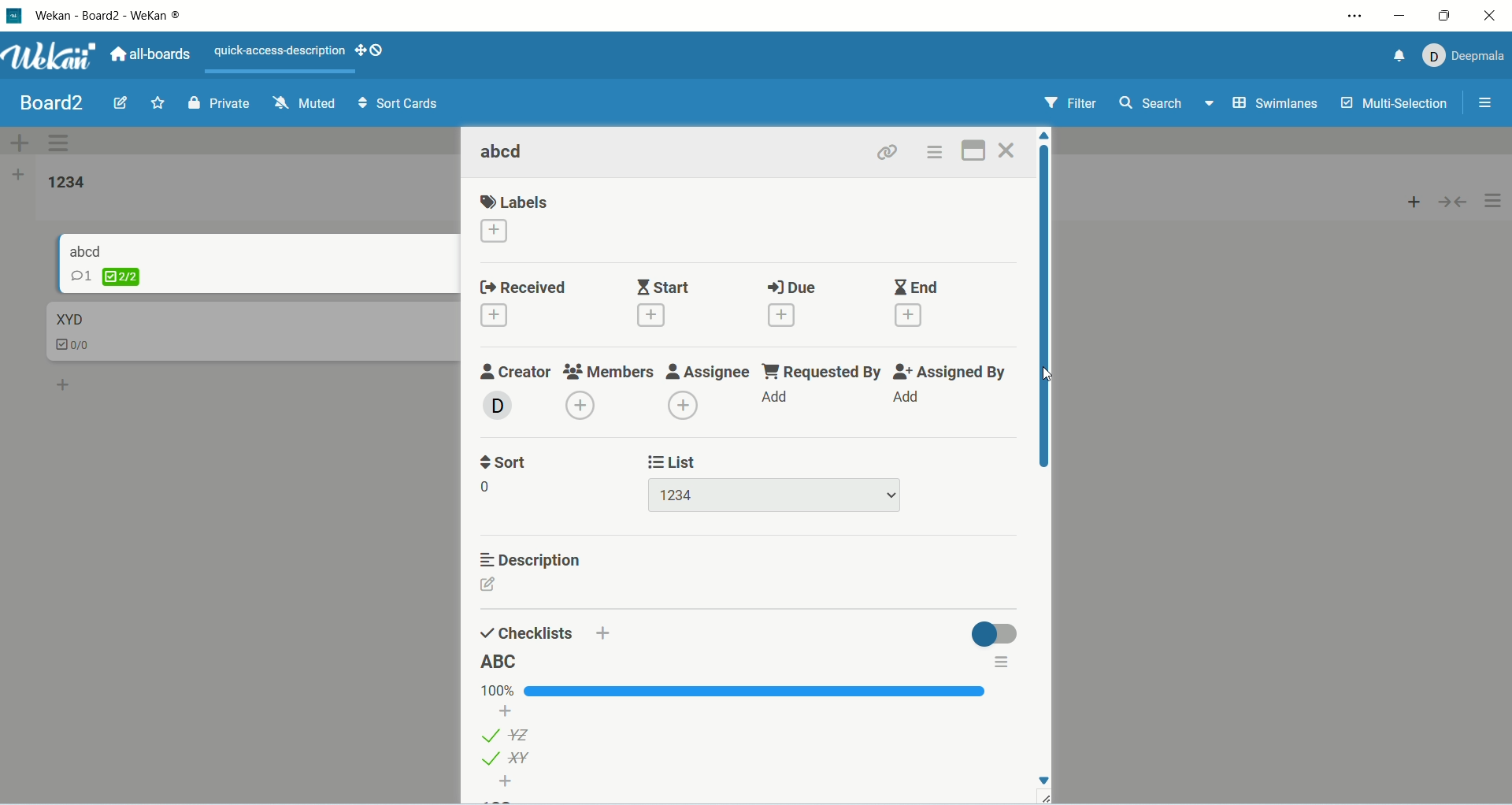 The image size is (1512, 805). What do you see at coordinates (154, 54) in the screenshot?
I see `all boards` at bounding box center [154, 54].